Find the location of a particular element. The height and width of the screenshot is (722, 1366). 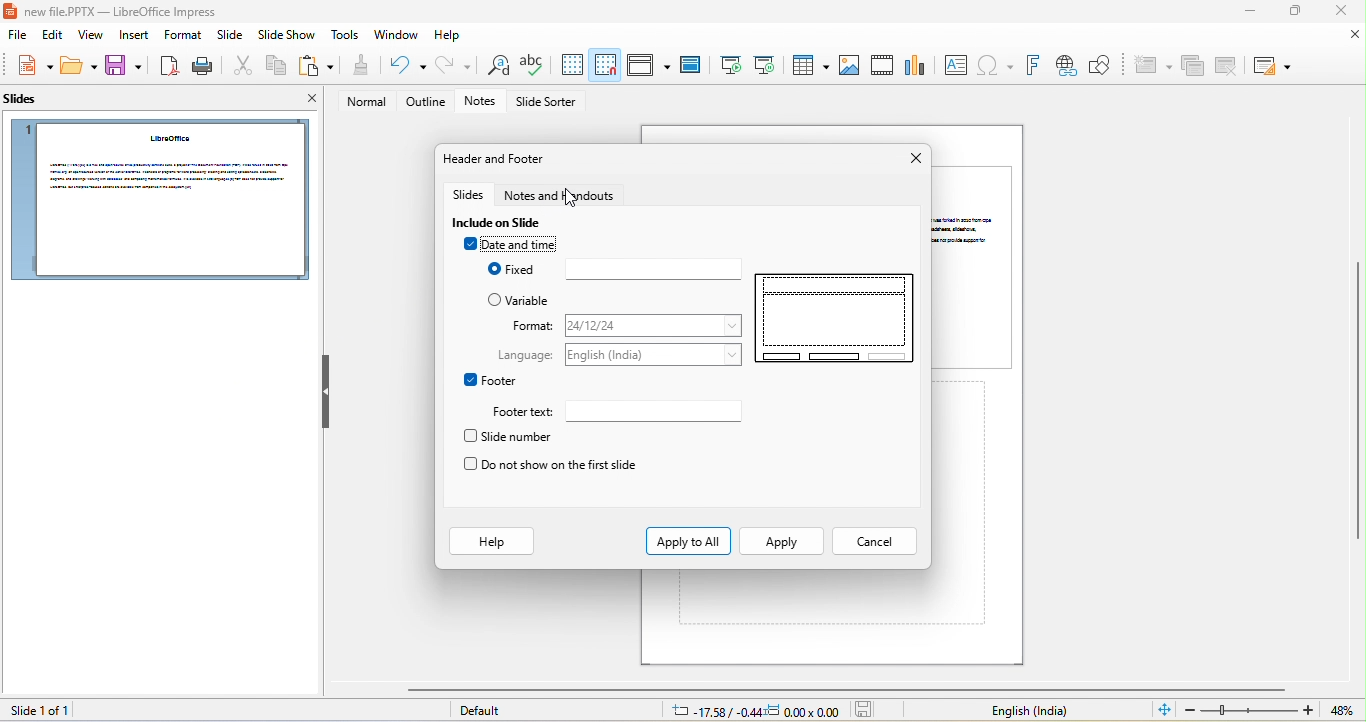

paste is located at coordinates (316, 66).